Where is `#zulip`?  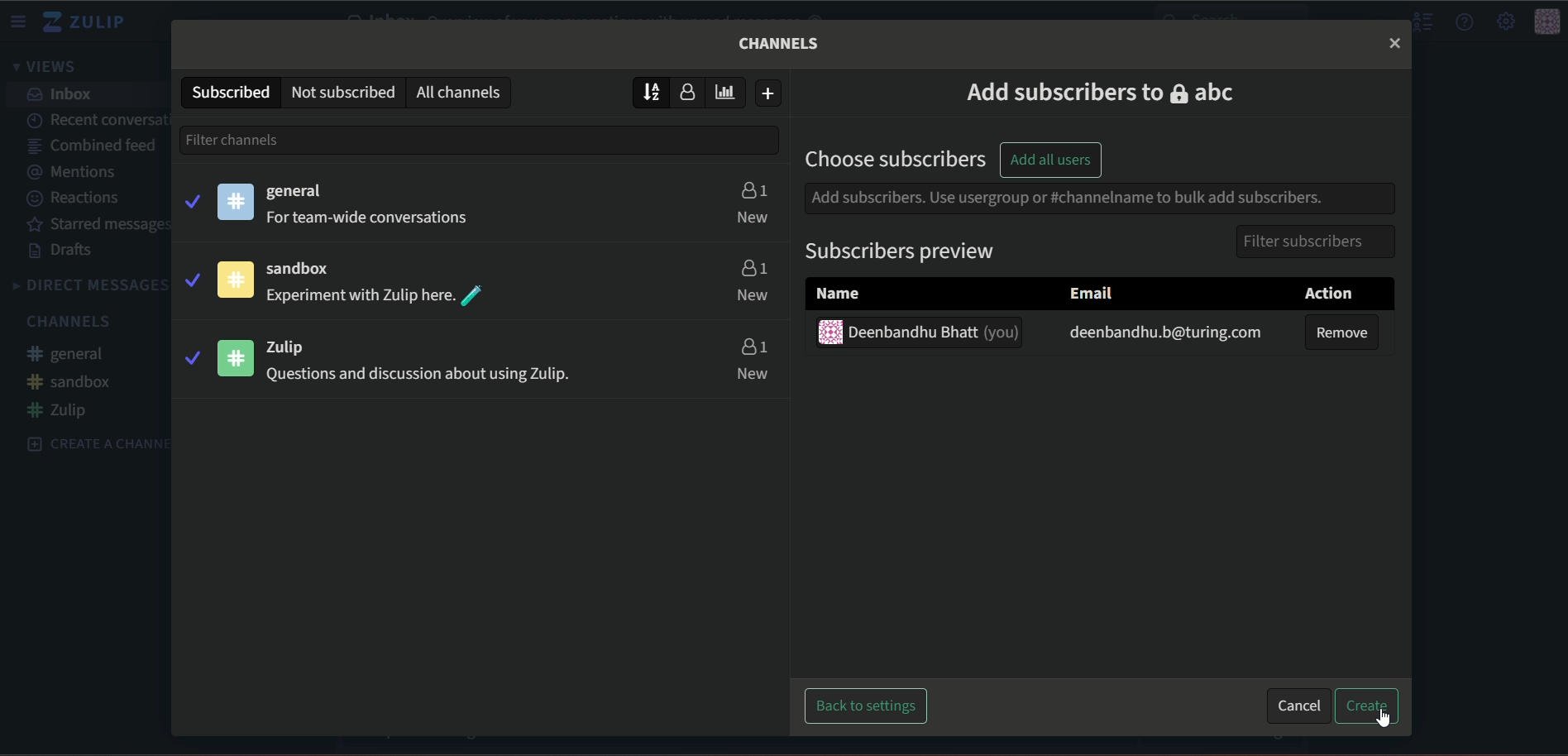
#zulip is located at coordinates (63, 410).